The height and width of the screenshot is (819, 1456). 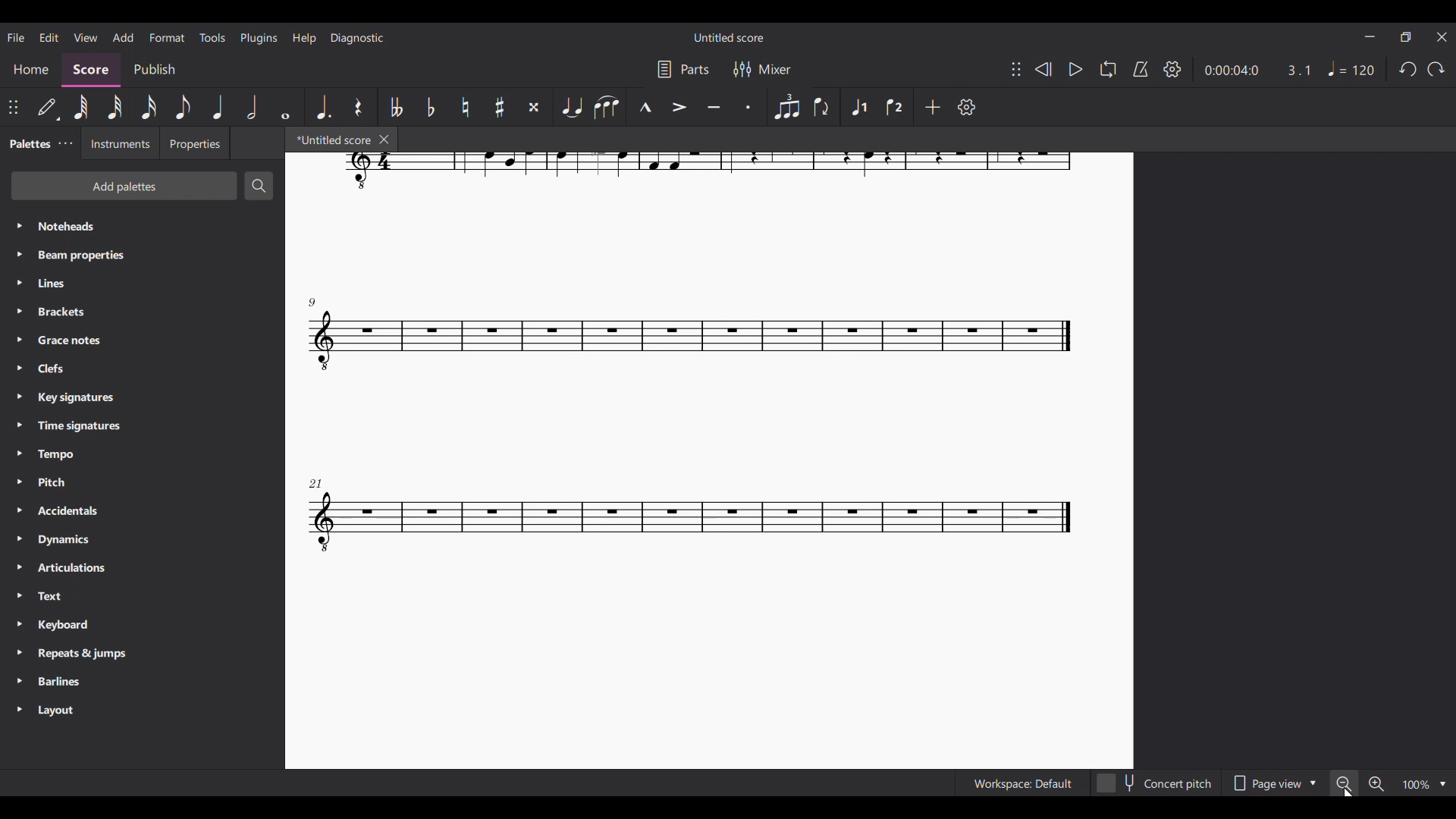 What do you see at coordinates (967, 107) in the screenshot?
I see `Settings` at bounding box center [967, 107].